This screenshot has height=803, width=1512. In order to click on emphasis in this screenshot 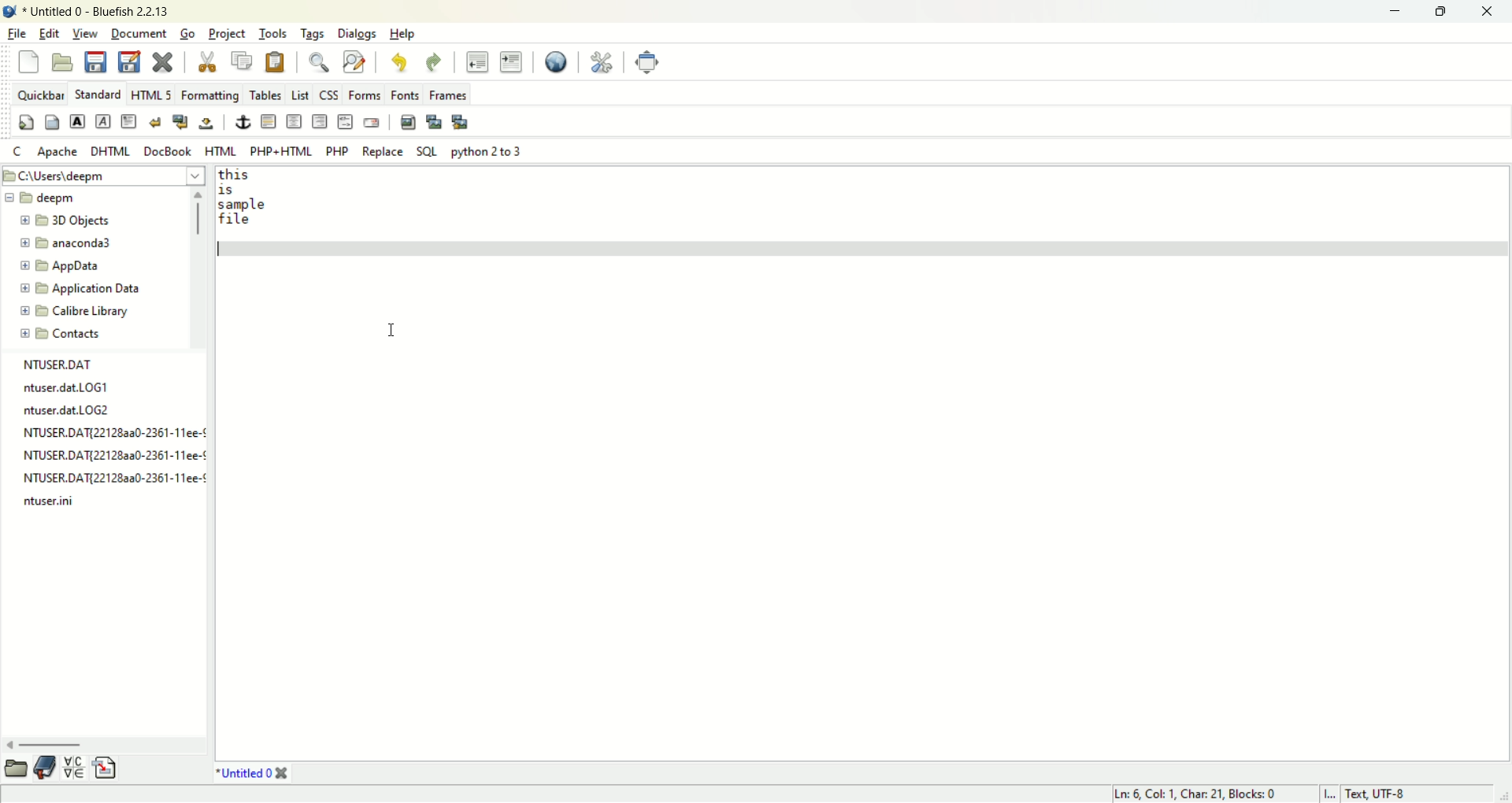, I will do `click(102, 120)`.